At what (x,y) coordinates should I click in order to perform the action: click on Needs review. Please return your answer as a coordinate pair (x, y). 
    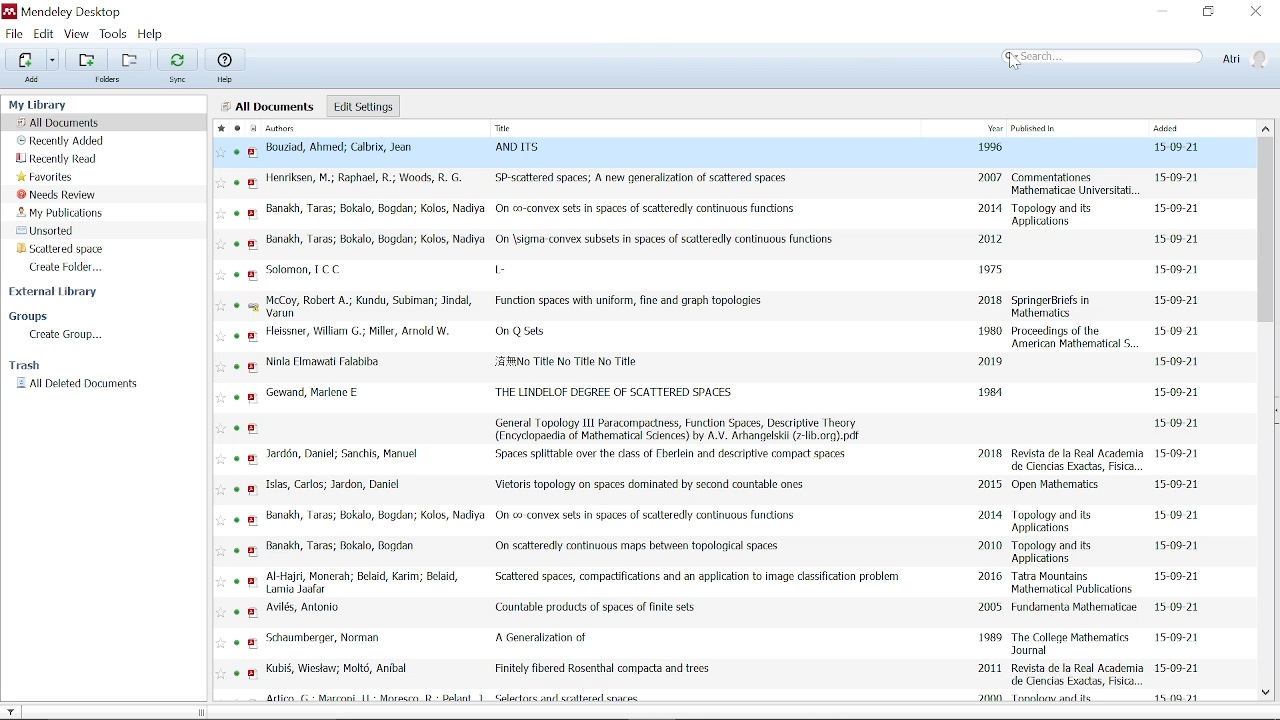
    Looking at the image, I should click on (57, 194).